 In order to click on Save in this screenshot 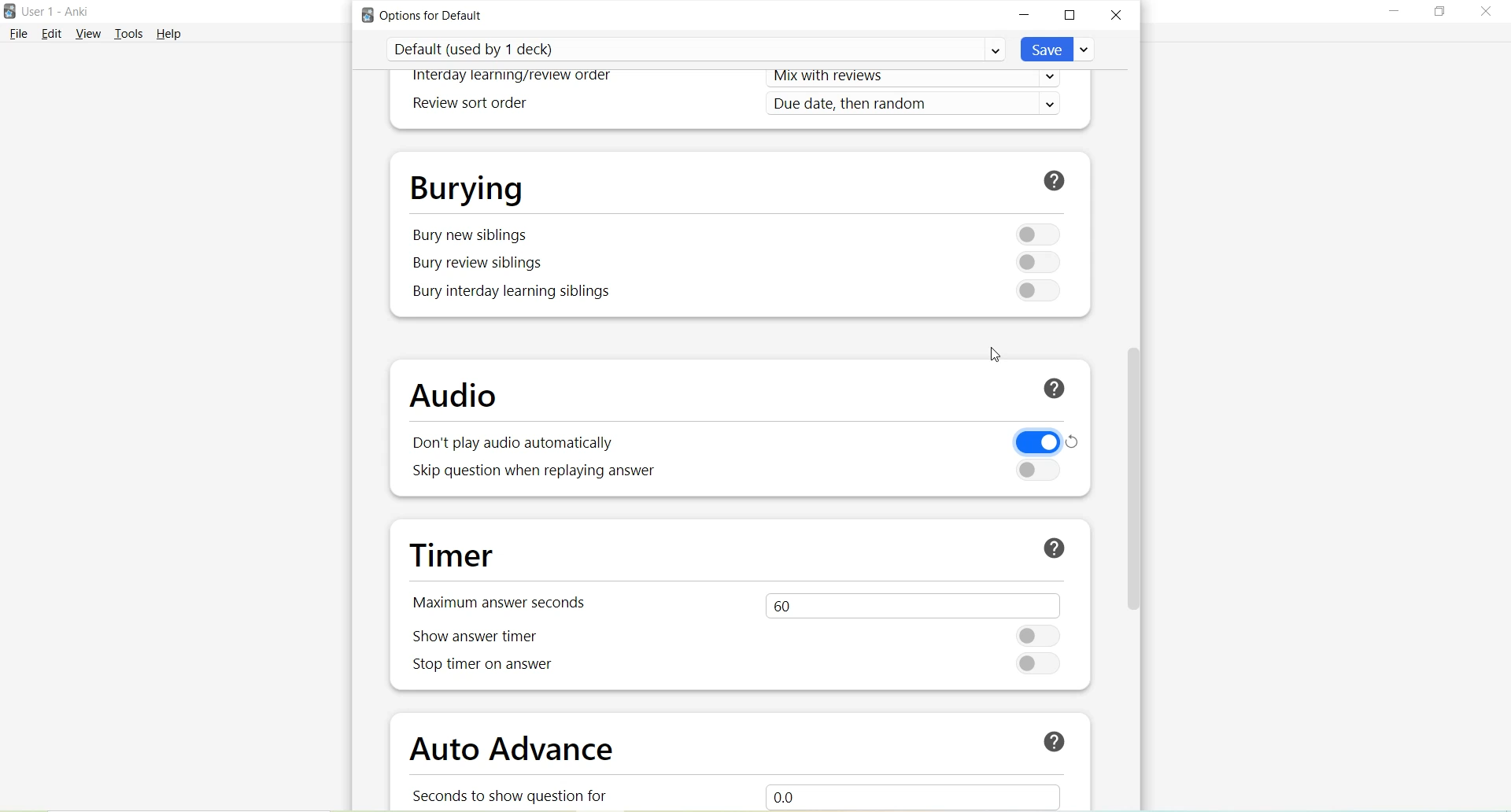, I will do `click(1058, 49)`.